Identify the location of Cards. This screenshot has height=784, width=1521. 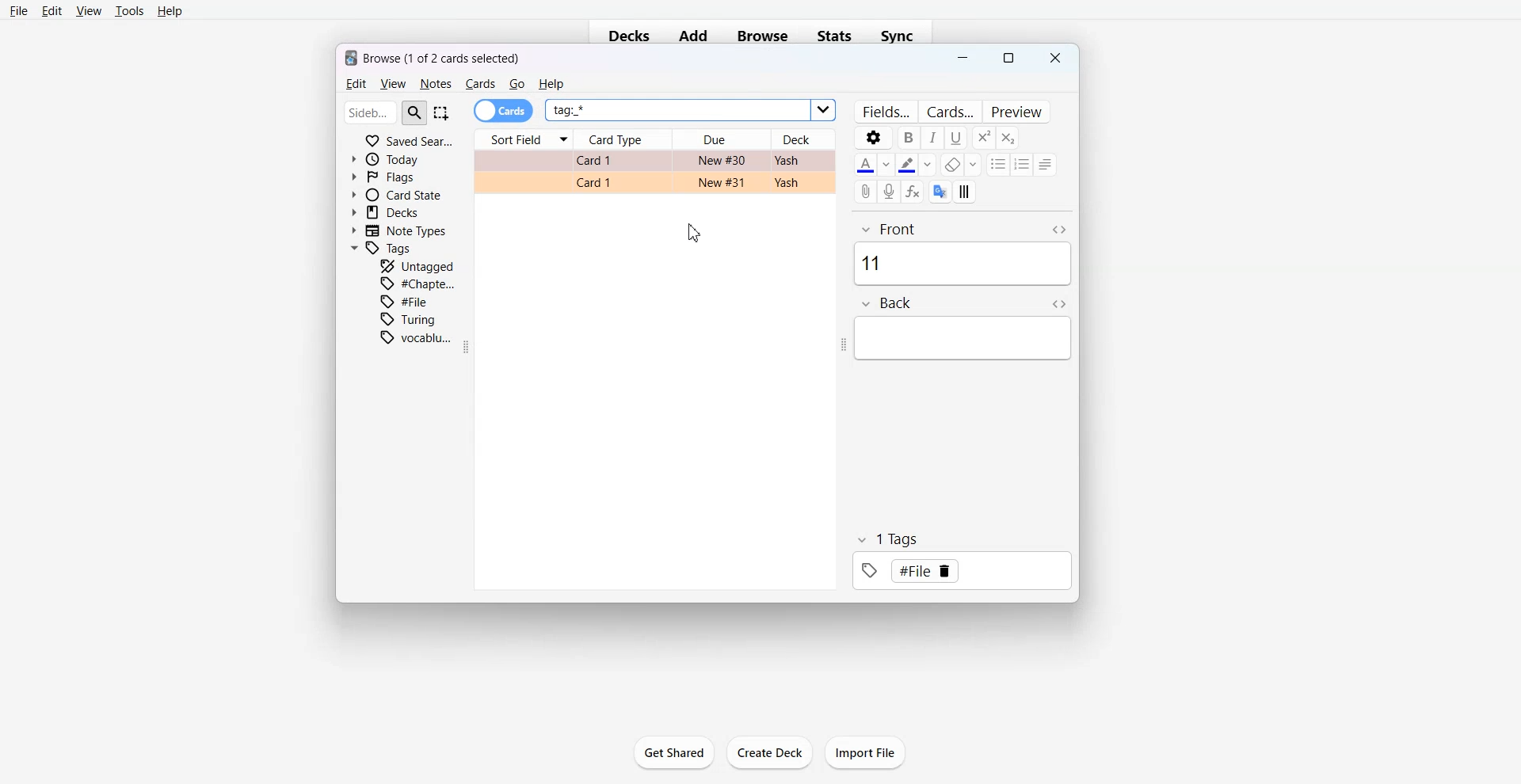
(480, 84).